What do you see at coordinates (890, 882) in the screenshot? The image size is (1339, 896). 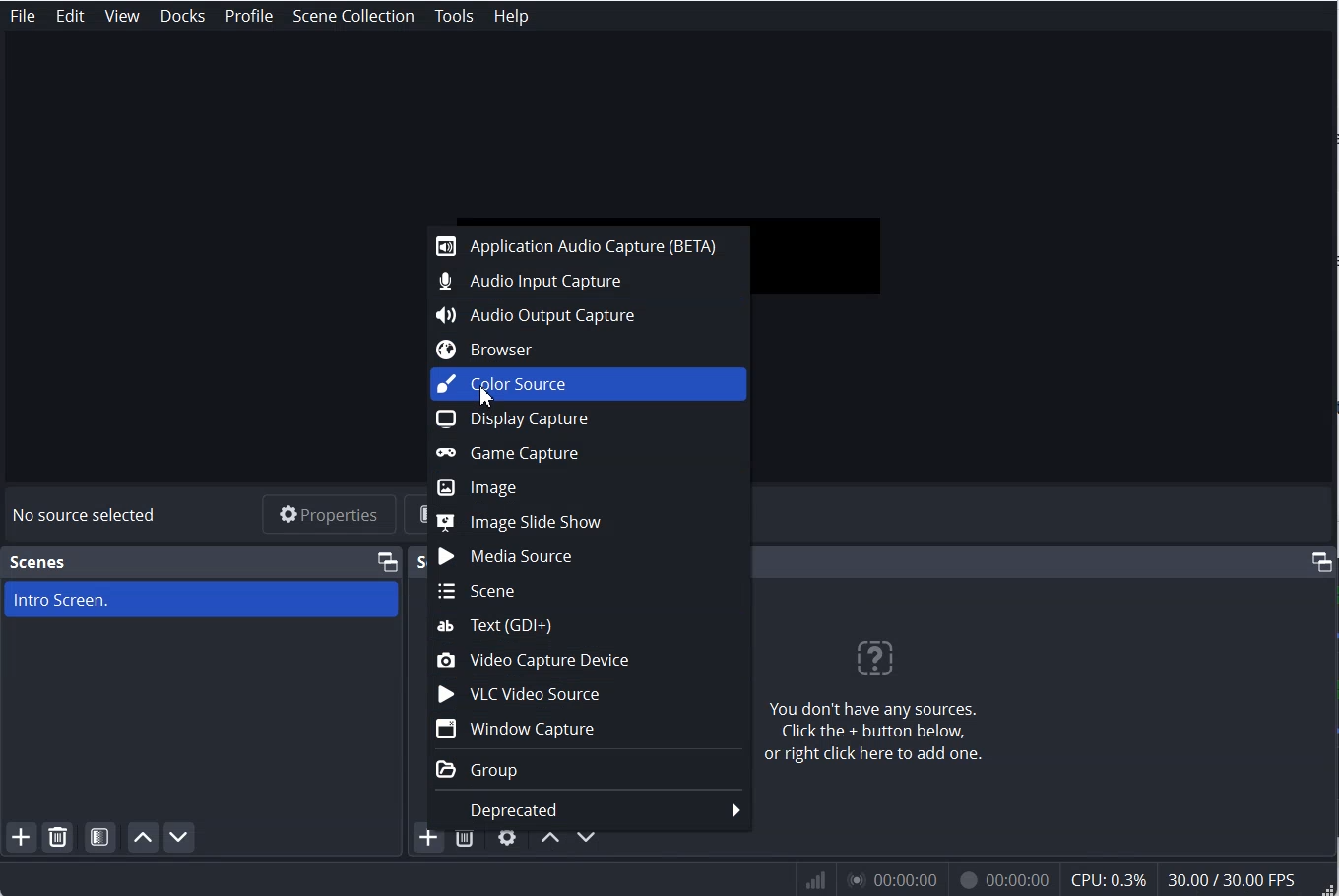 I see `0:00` at bounding box center [890, 882].